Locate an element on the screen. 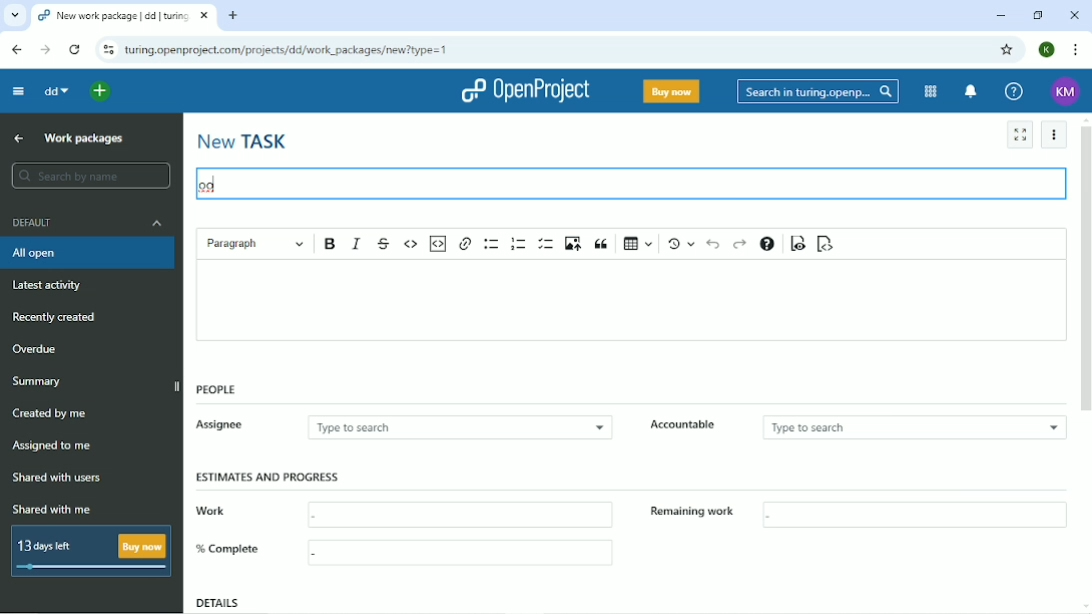  Shared with me is located at coordinates (51, 509).